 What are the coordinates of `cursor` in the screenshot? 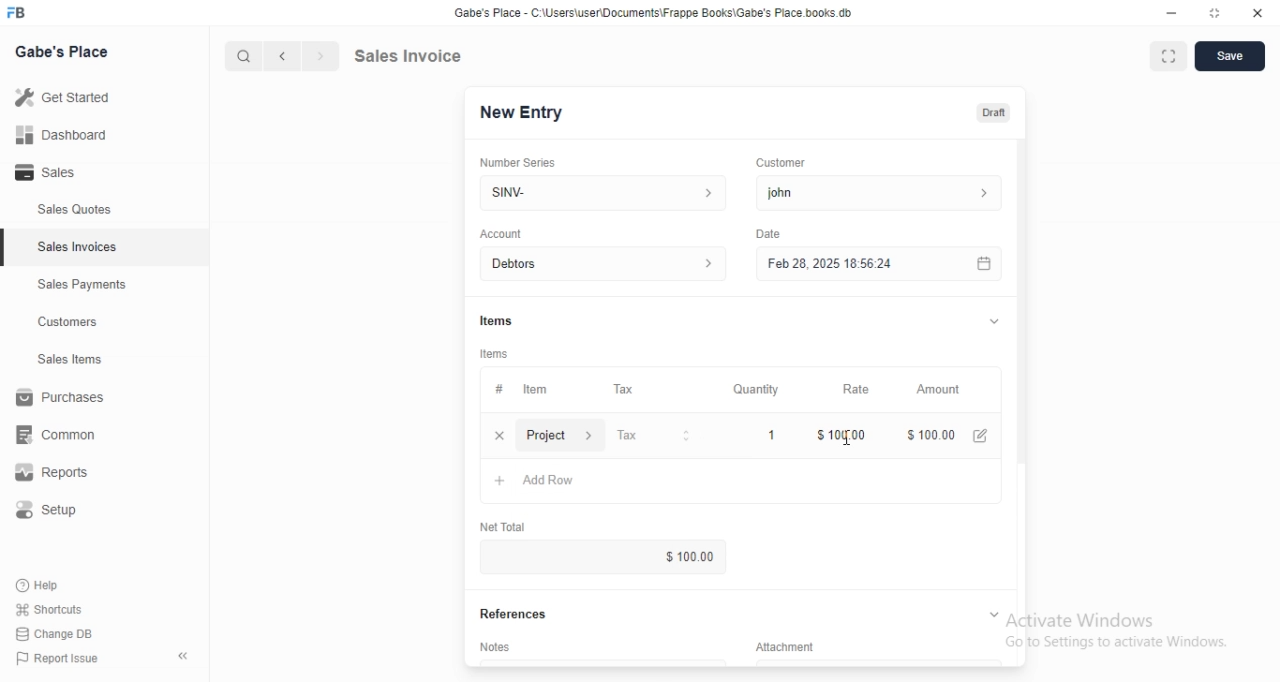 It's located at (850, 441).